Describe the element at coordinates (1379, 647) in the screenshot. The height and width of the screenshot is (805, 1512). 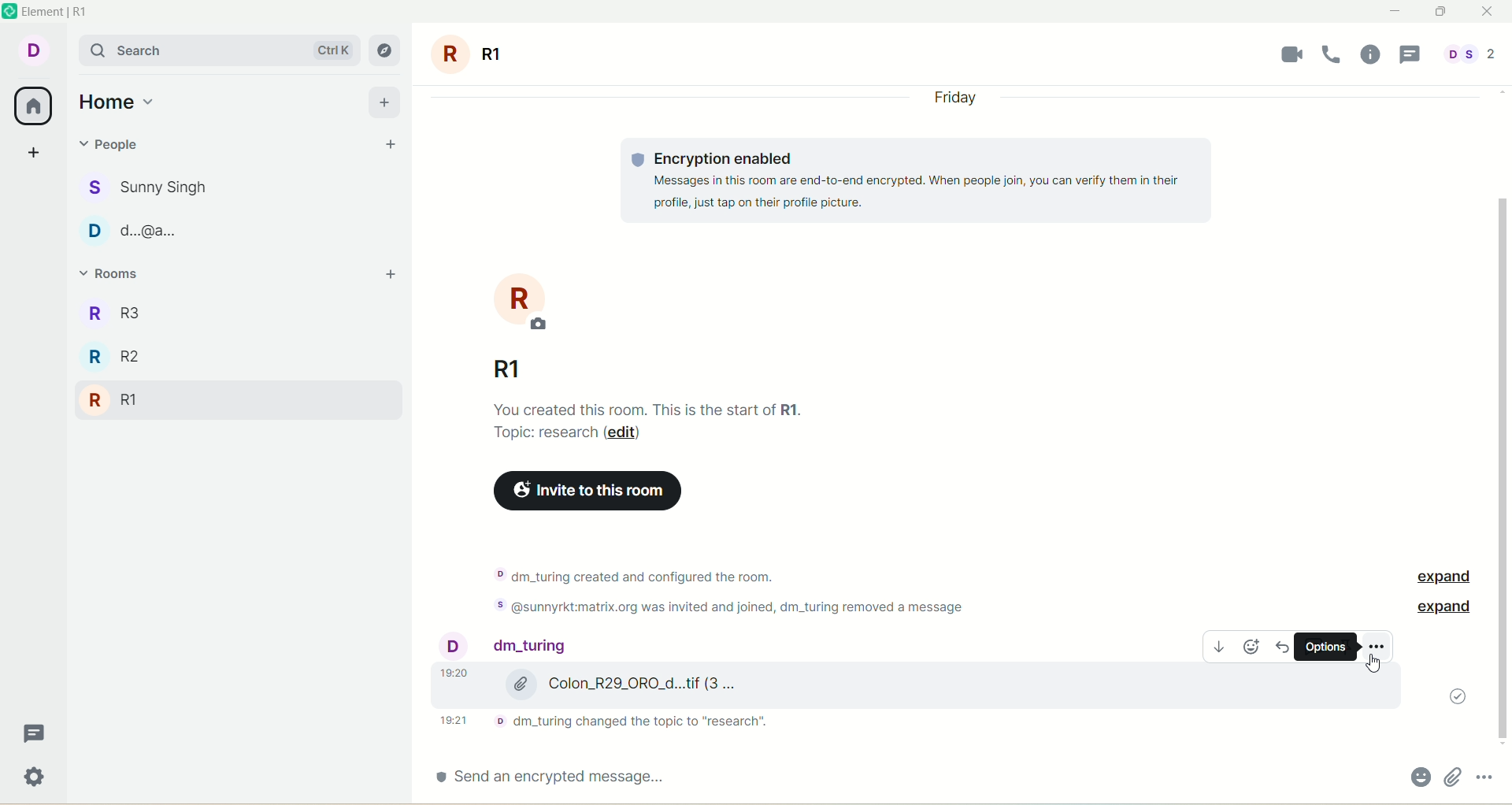
I see `options` at that location.